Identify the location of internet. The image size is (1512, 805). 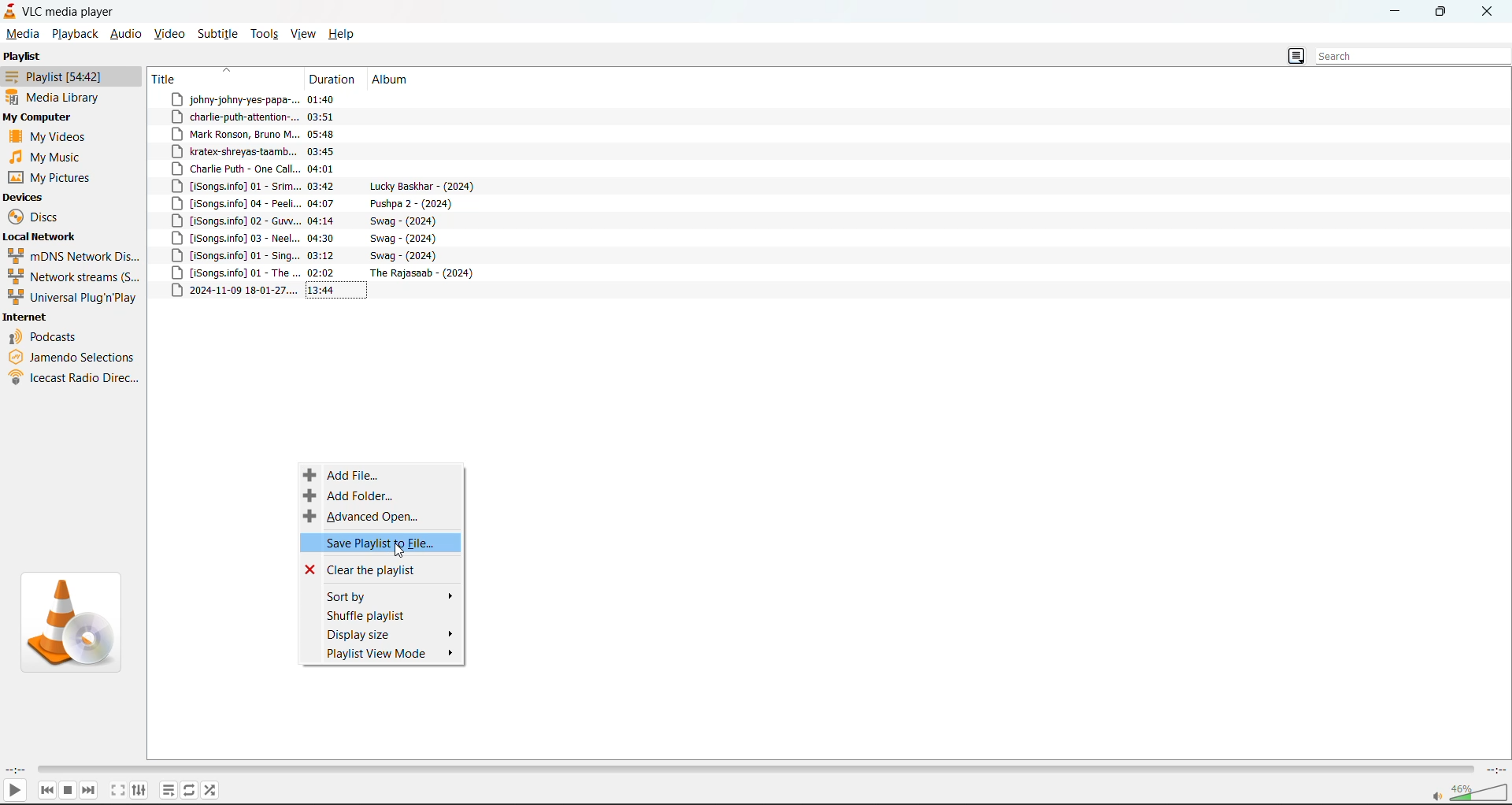
(28, 317).